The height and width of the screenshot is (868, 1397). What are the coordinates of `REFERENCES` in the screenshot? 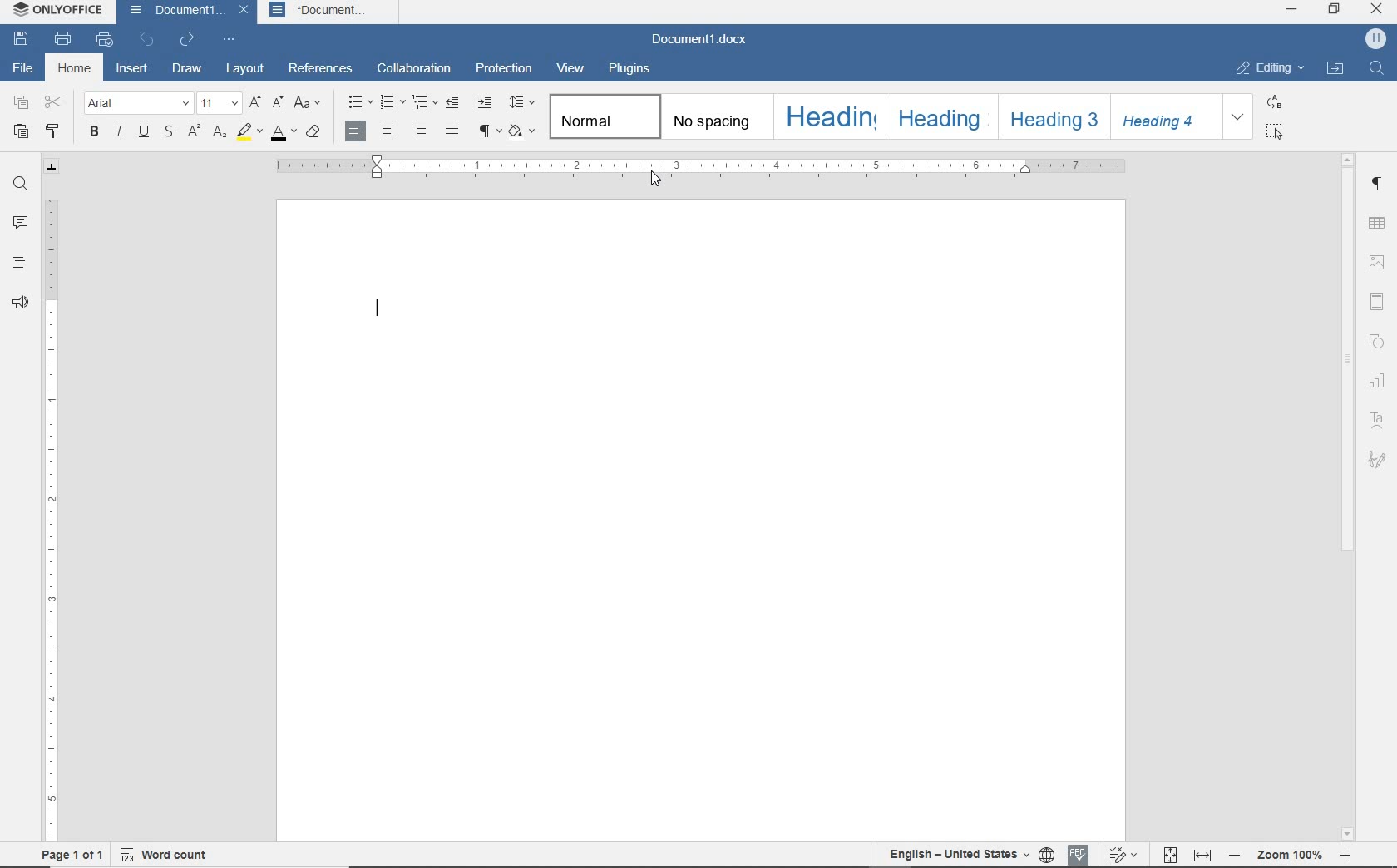 It's located at (323, 68).